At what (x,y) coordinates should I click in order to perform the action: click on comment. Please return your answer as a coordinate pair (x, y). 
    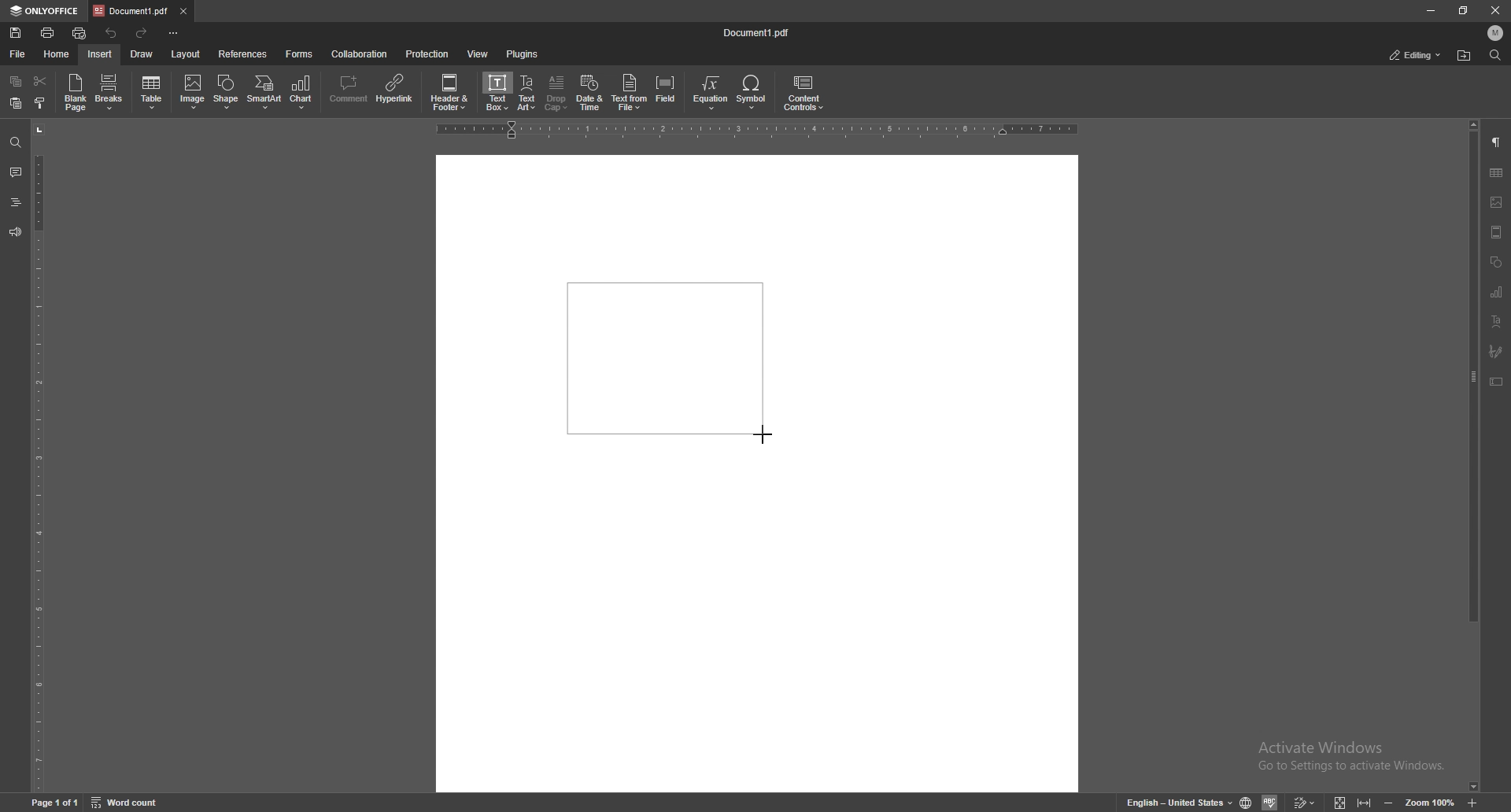
    Looking at the image, I should click on (347, 90).